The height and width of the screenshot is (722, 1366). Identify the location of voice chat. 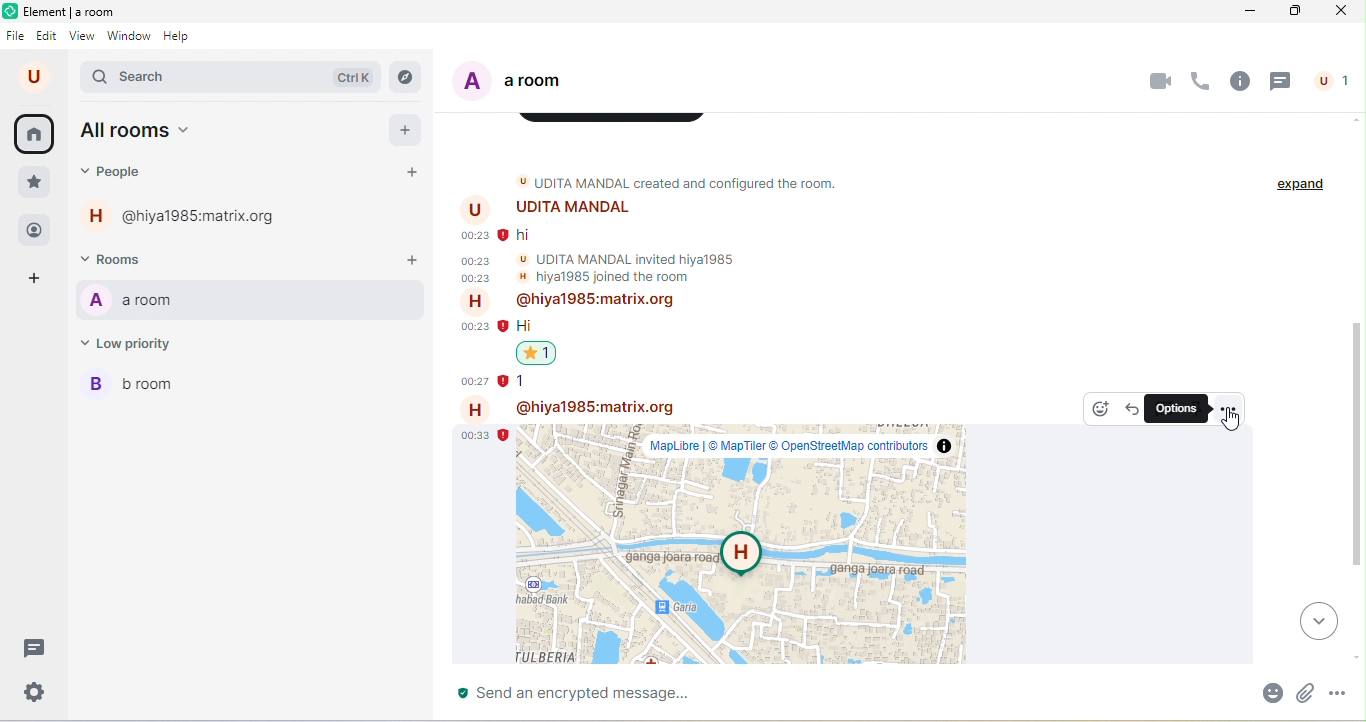
(1200, 80).